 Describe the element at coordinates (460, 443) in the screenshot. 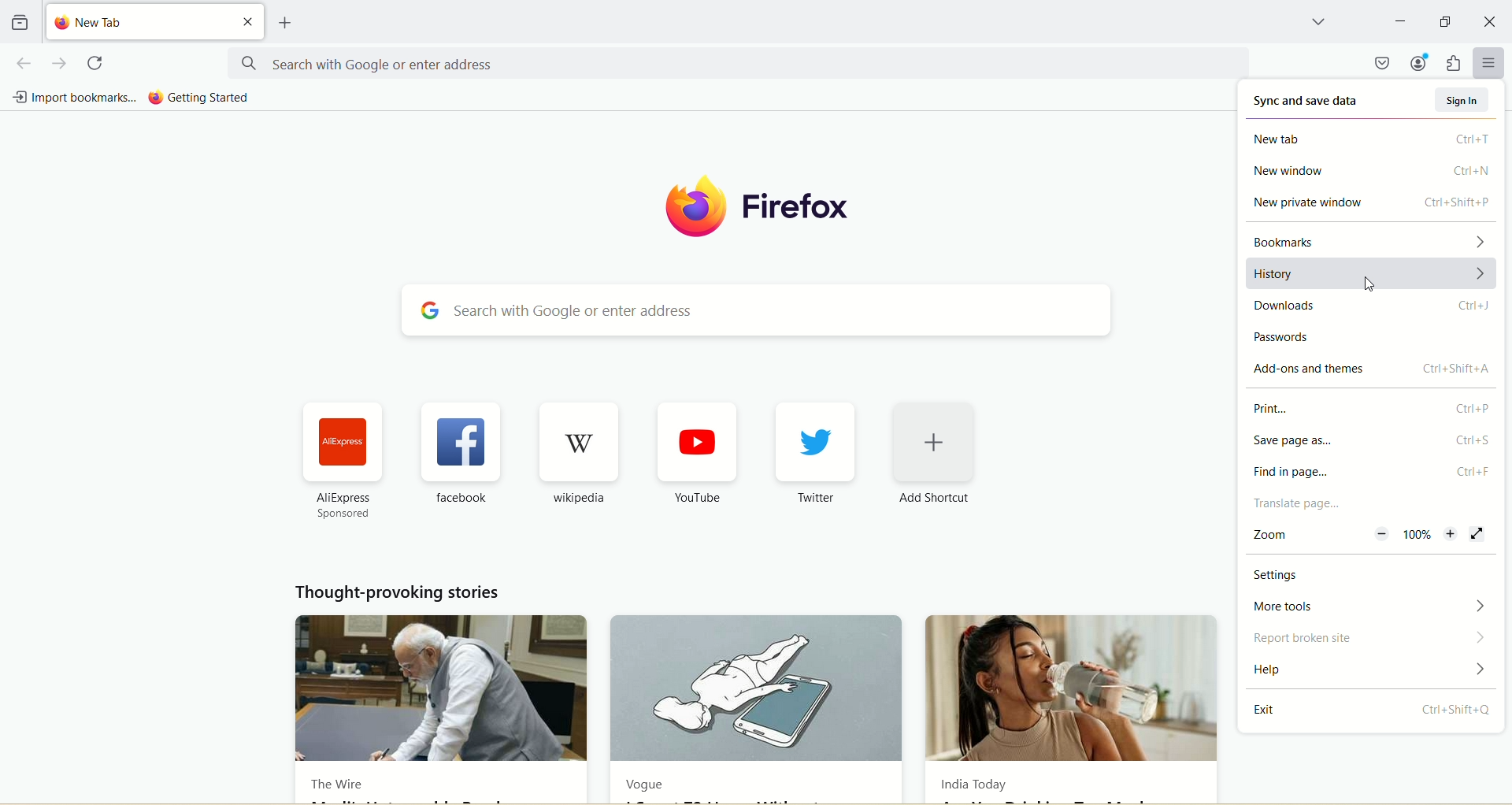

I see `facebook` at that location.